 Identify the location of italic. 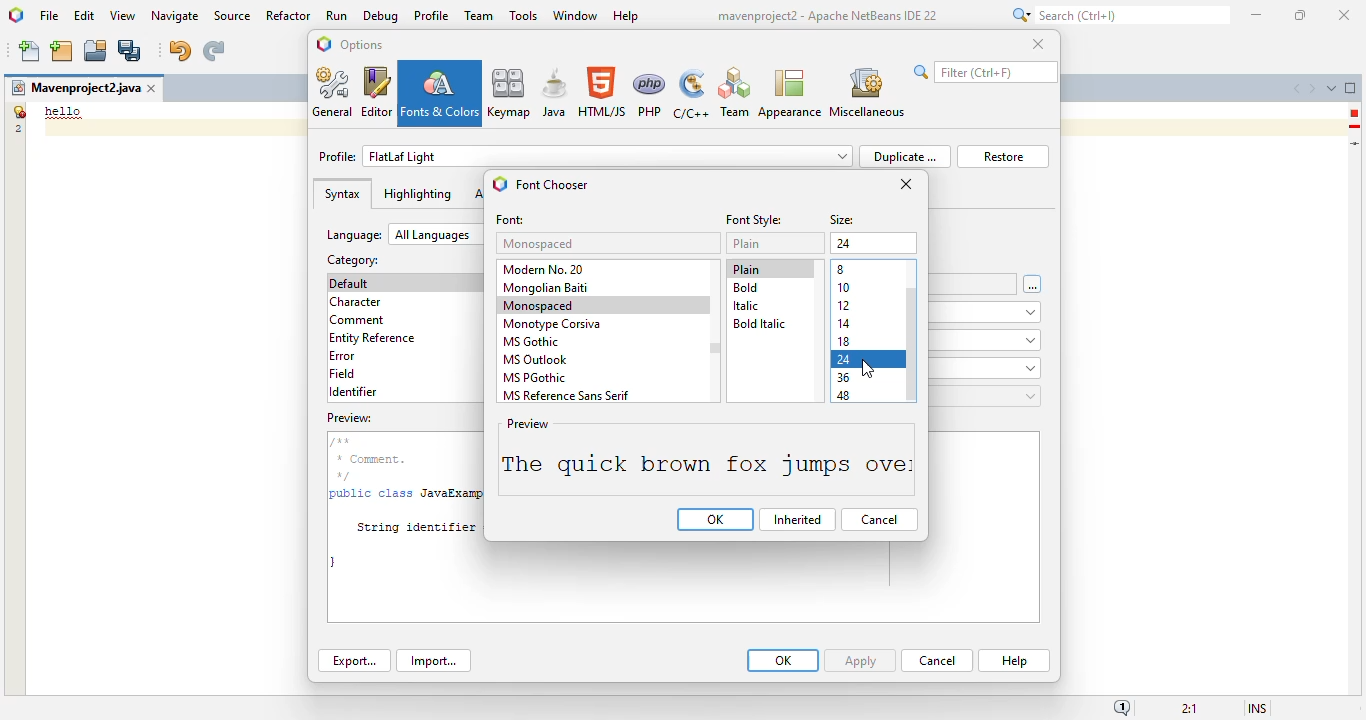
(746, 306).